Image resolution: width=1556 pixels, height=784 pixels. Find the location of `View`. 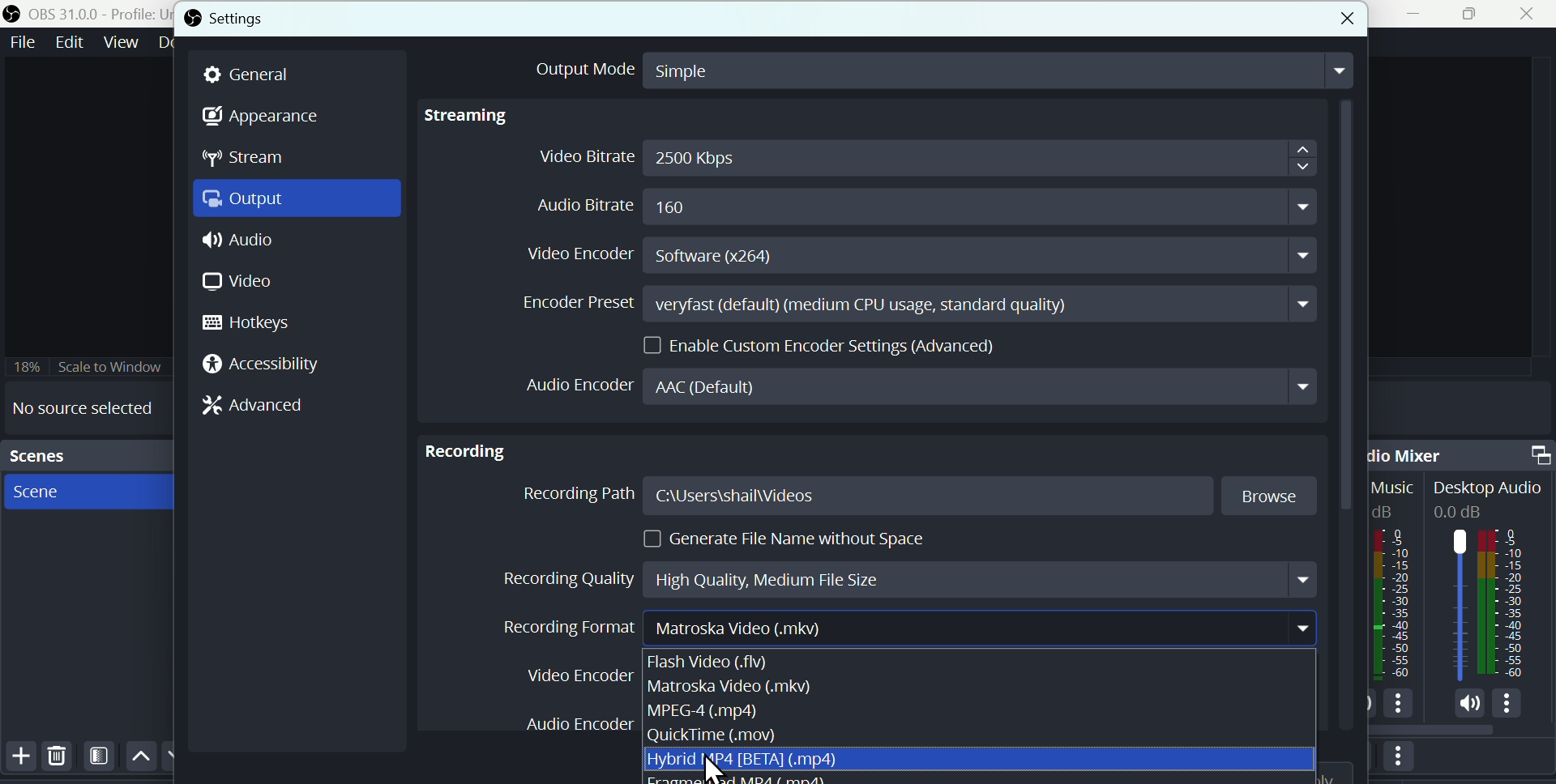

View is located at coordinates (120, 42).